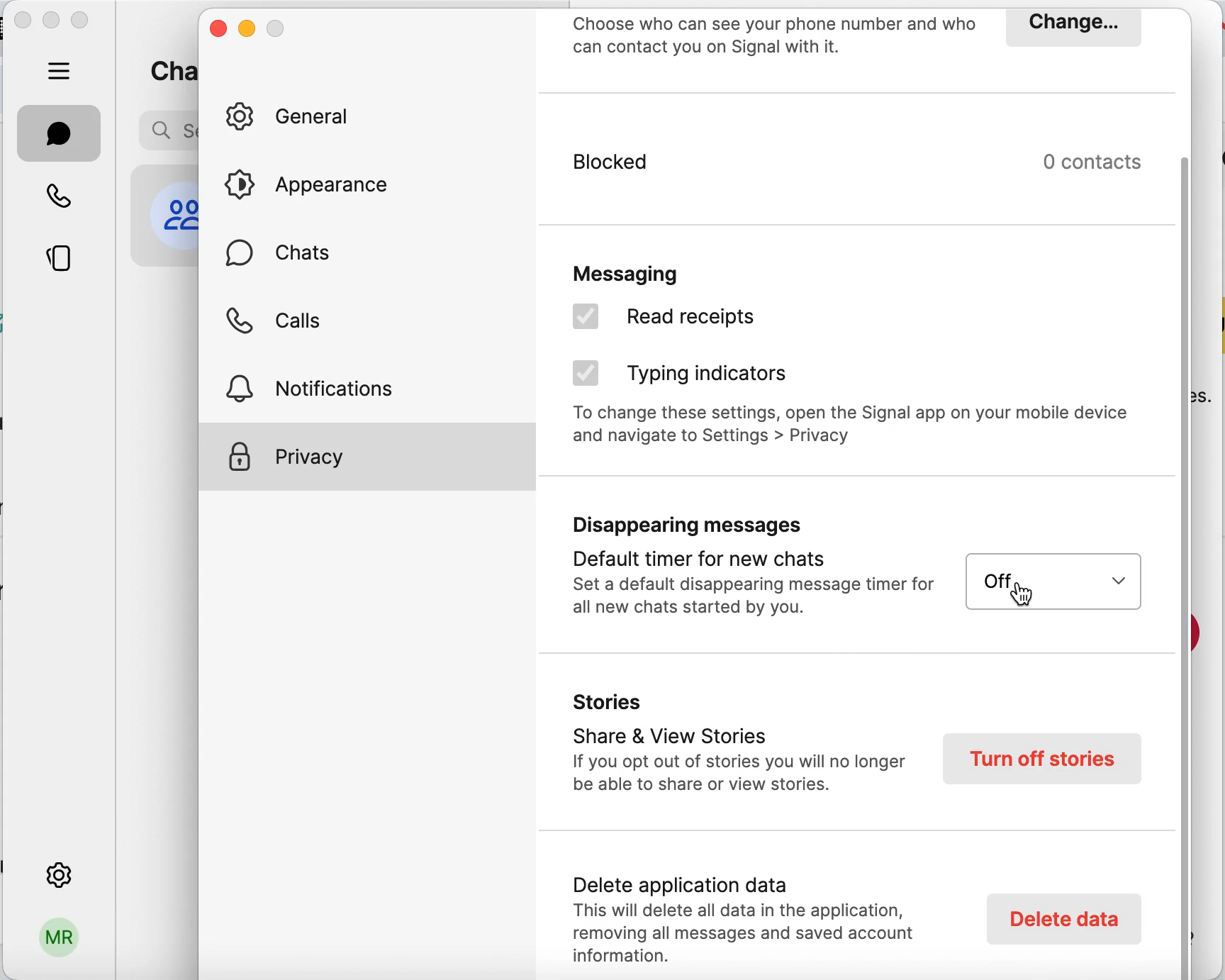  I want to click on change, so click(1071, 27).